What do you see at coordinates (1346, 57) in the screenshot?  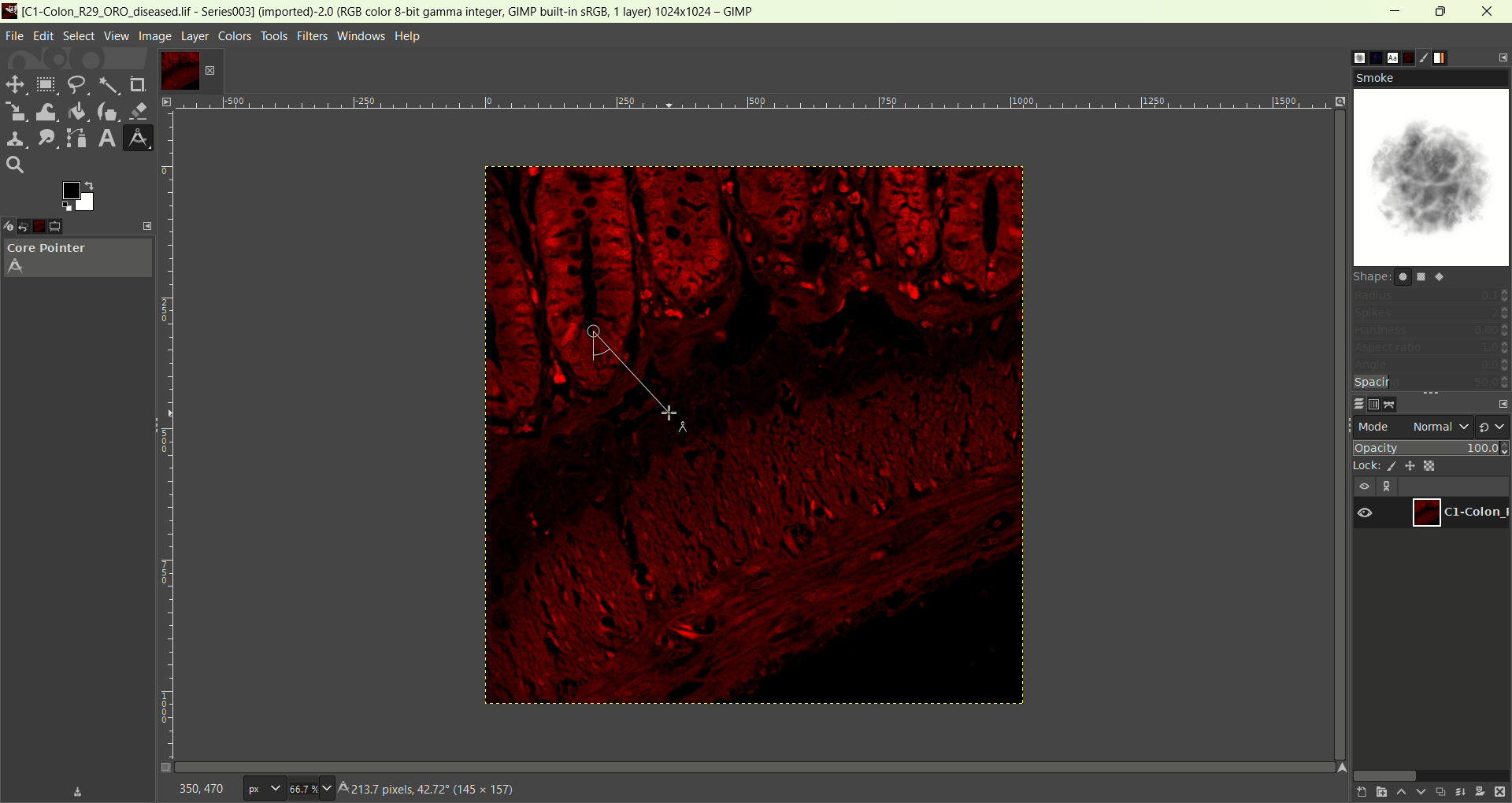 I see `brush` at bounding box center [1346, 57].